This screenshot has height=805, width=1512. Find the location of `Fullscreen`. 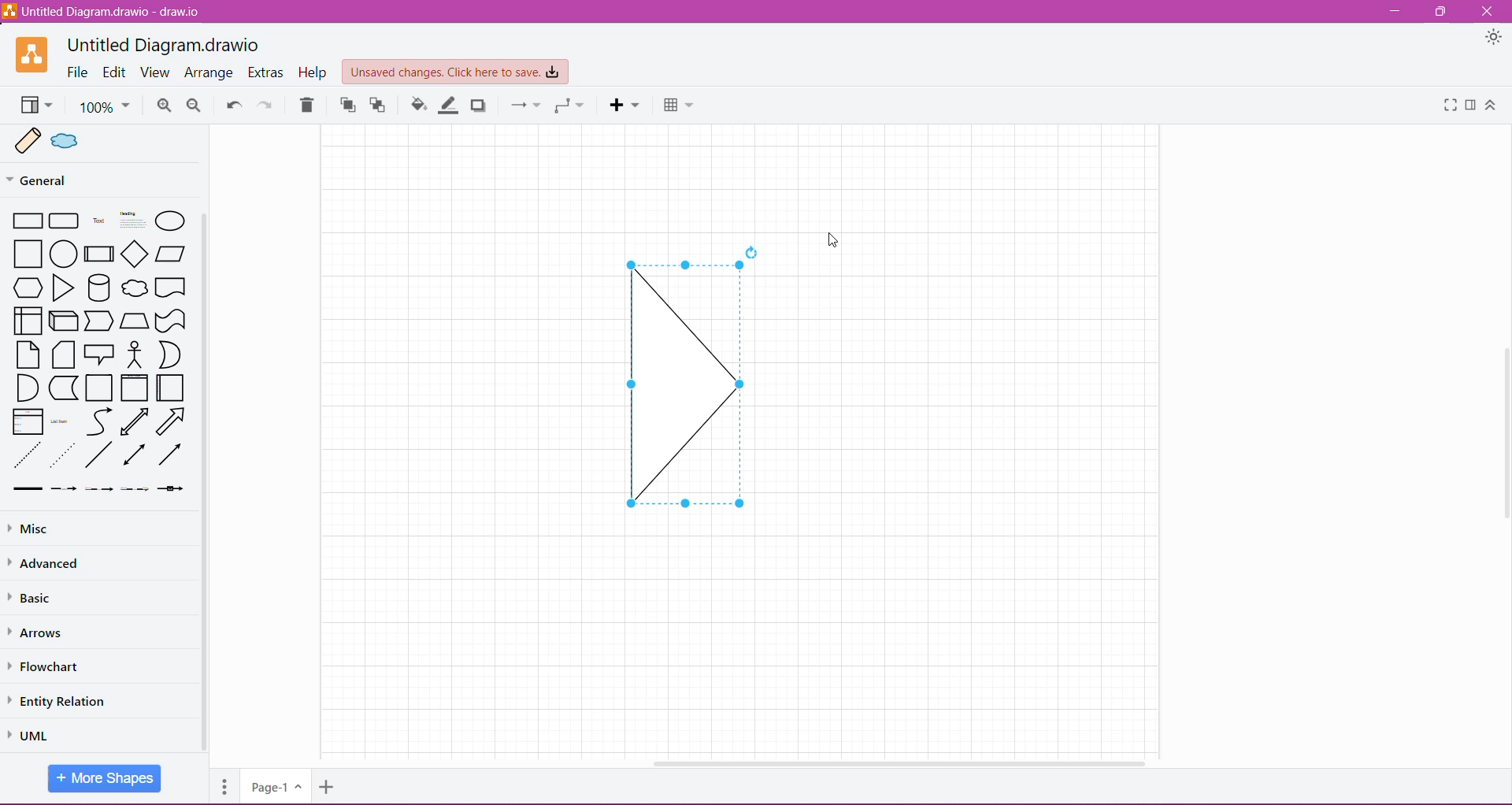

Fullscreen is located at coordinates (1451, 106).